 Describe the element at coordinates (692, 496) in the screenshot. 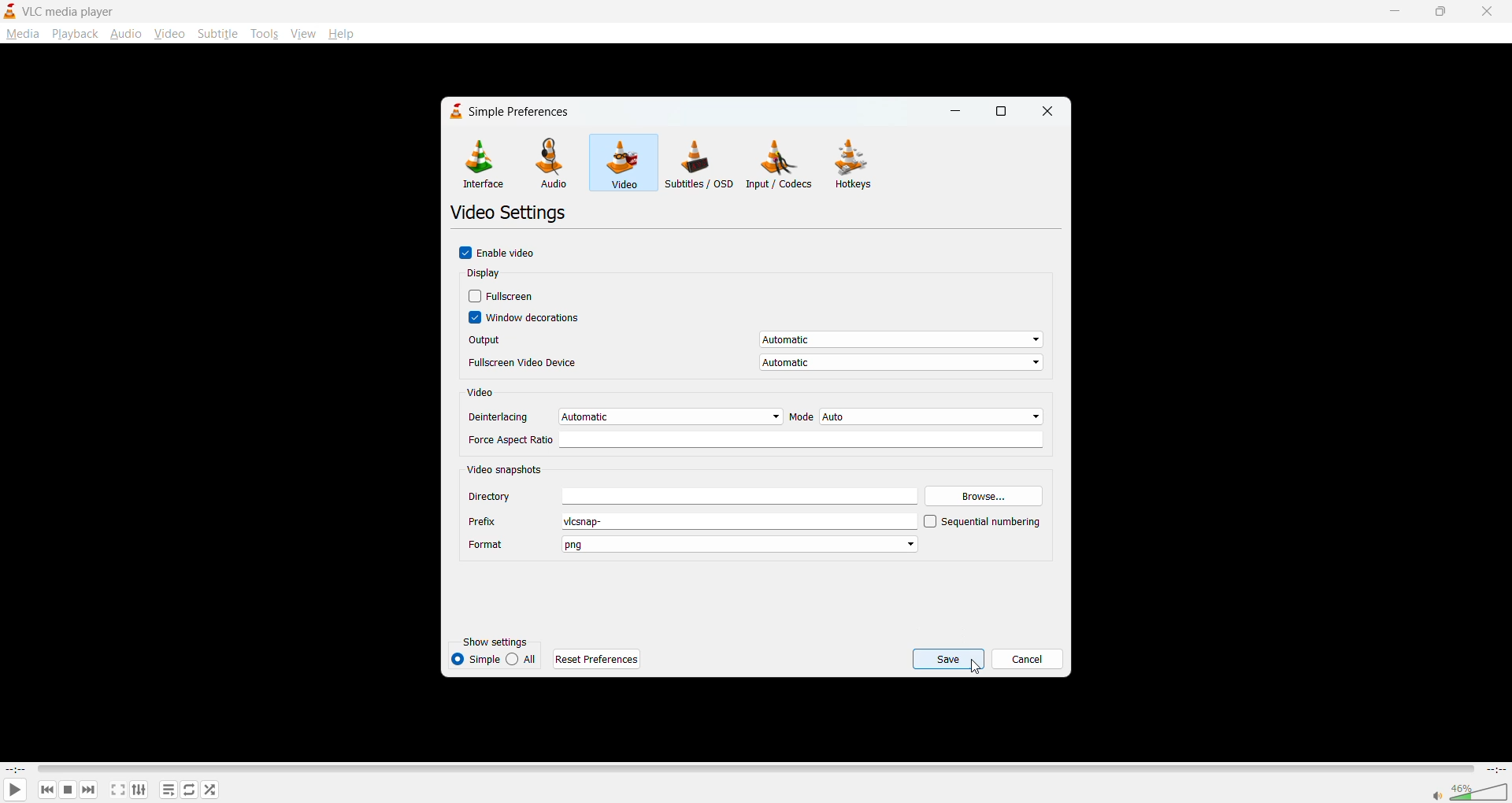

I see `directory` at that location.